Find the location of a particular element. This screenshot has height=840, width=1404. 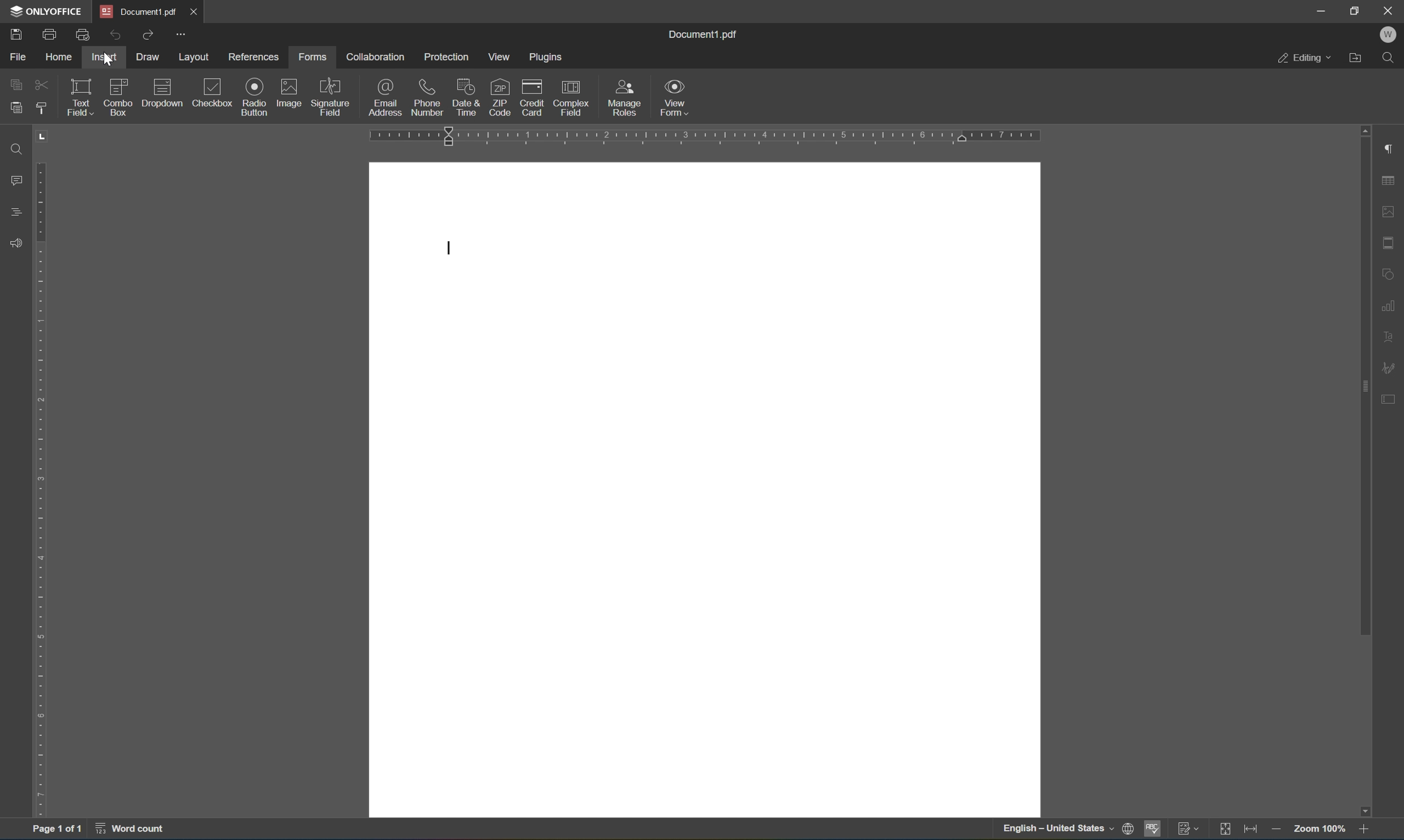

Header and footer settings is located at coordinates (1391, 242).